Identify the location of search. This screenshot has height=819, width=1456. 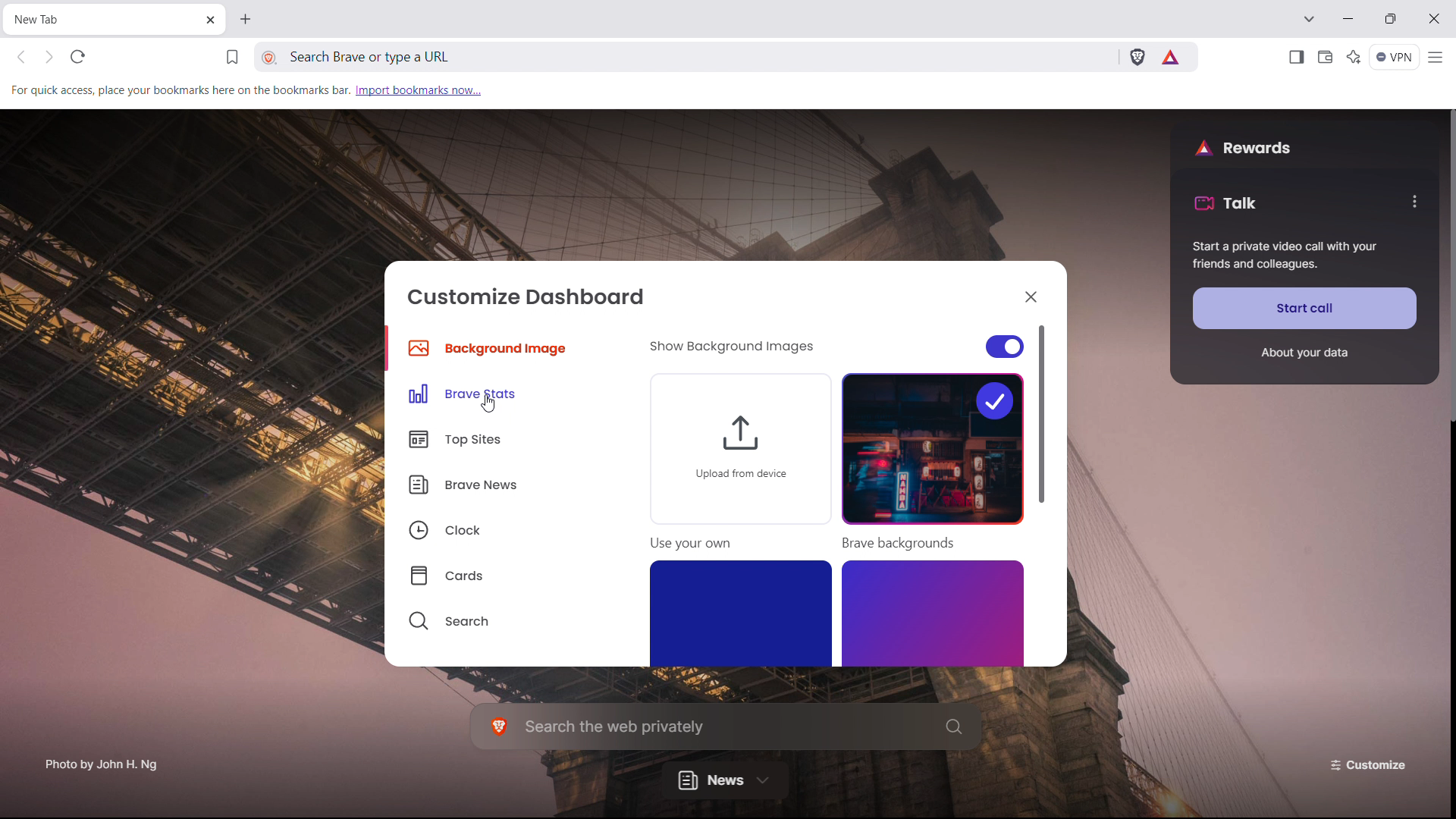
(507, 617).